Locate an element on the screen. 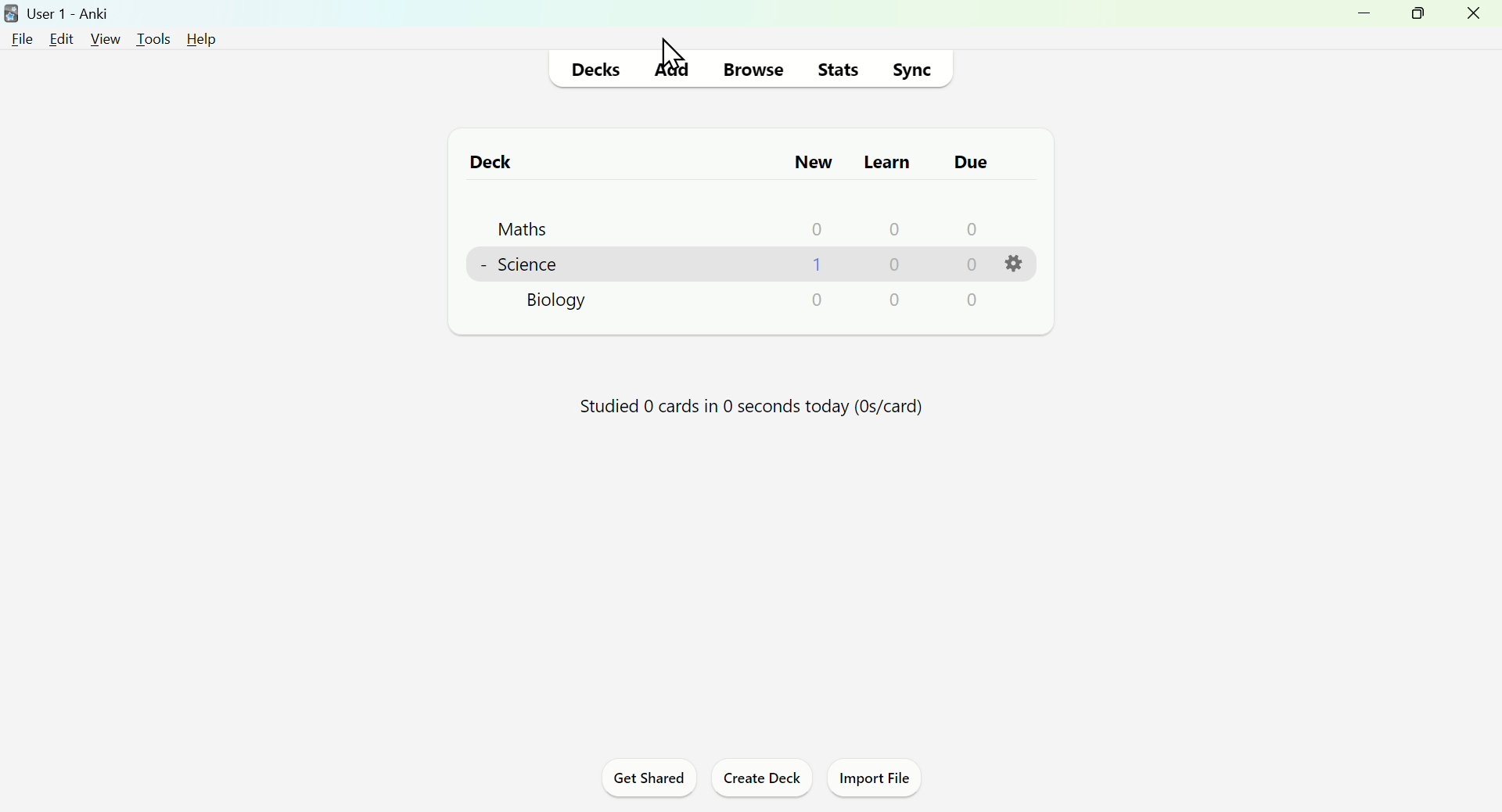  maximize is located at coordinates (1416, 14).